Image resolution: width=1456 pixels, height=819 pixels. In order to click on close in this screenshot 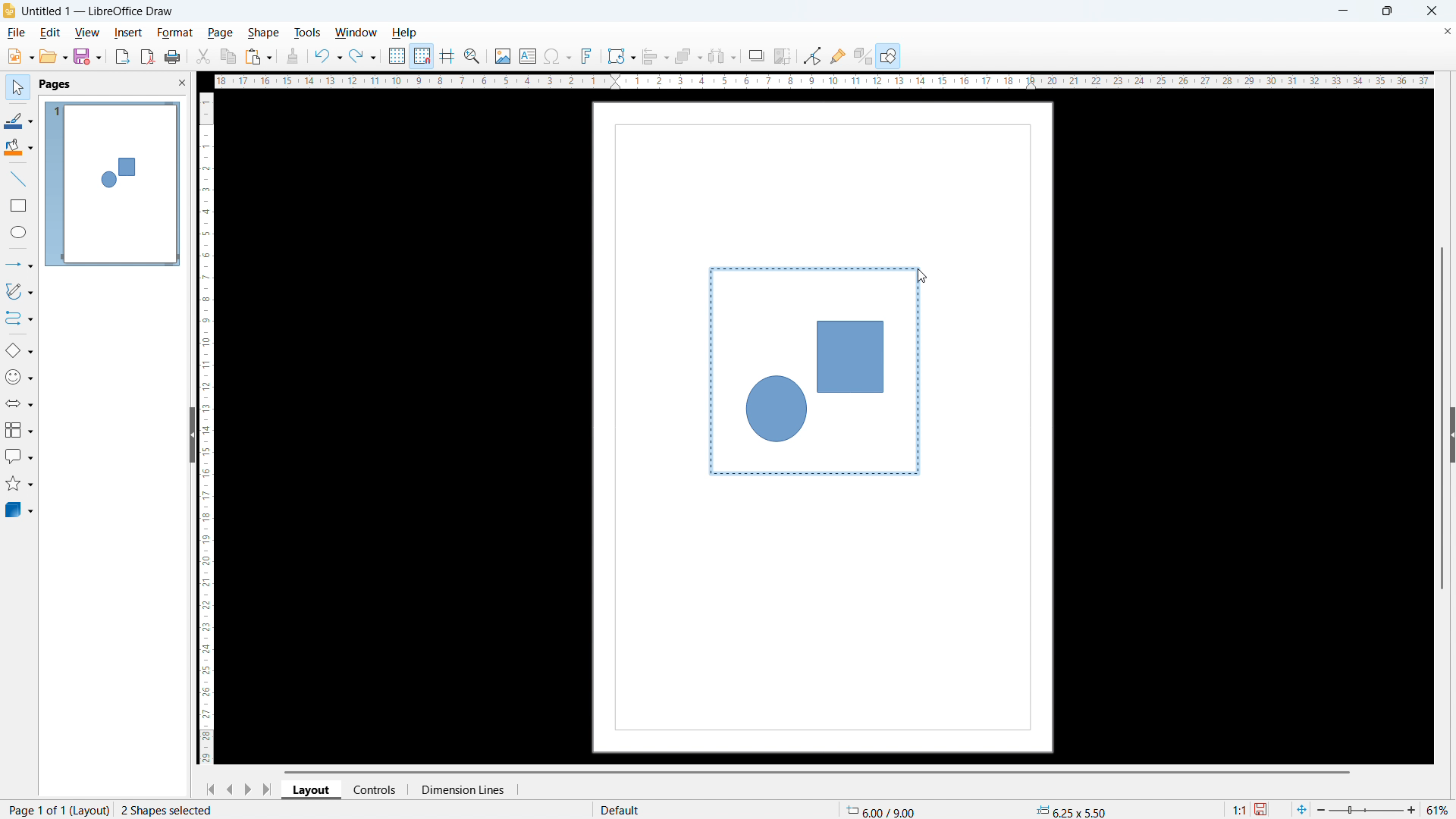, I will do `click(1432, 11)`.